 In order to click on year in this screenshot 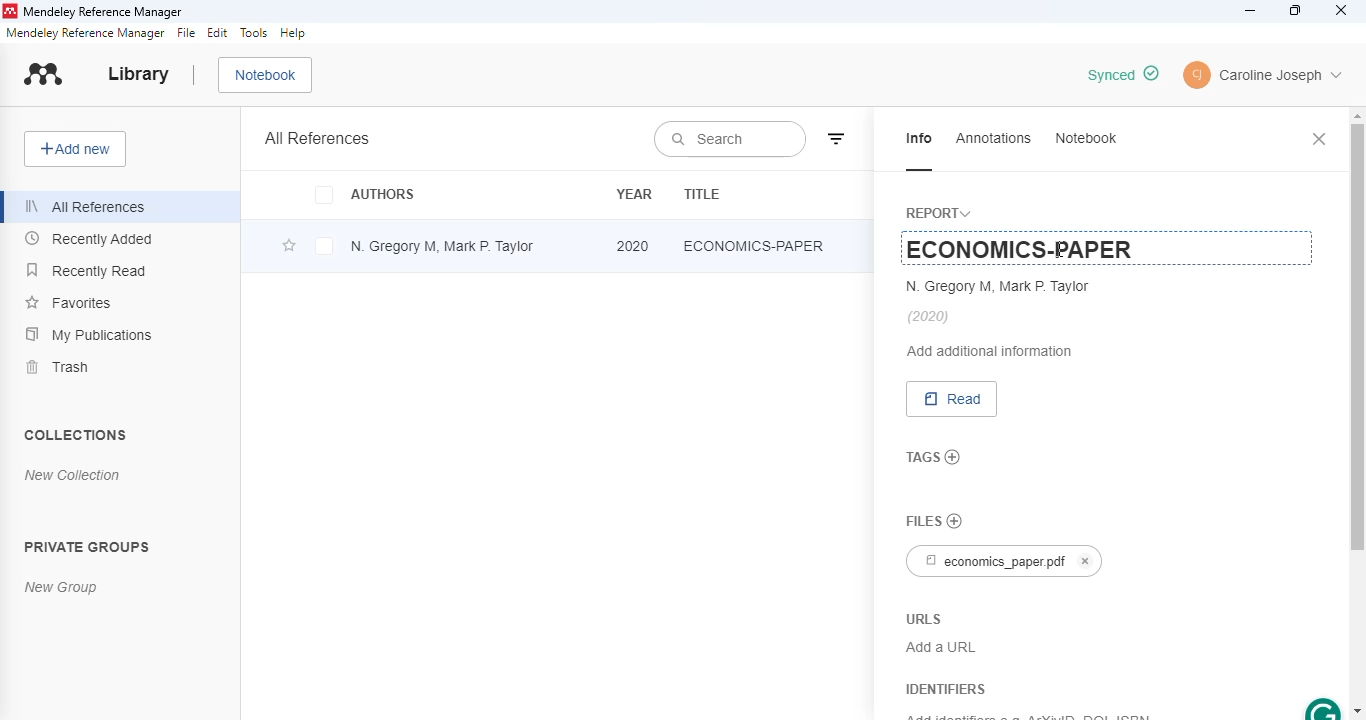, I will do `click(634, 193)`.